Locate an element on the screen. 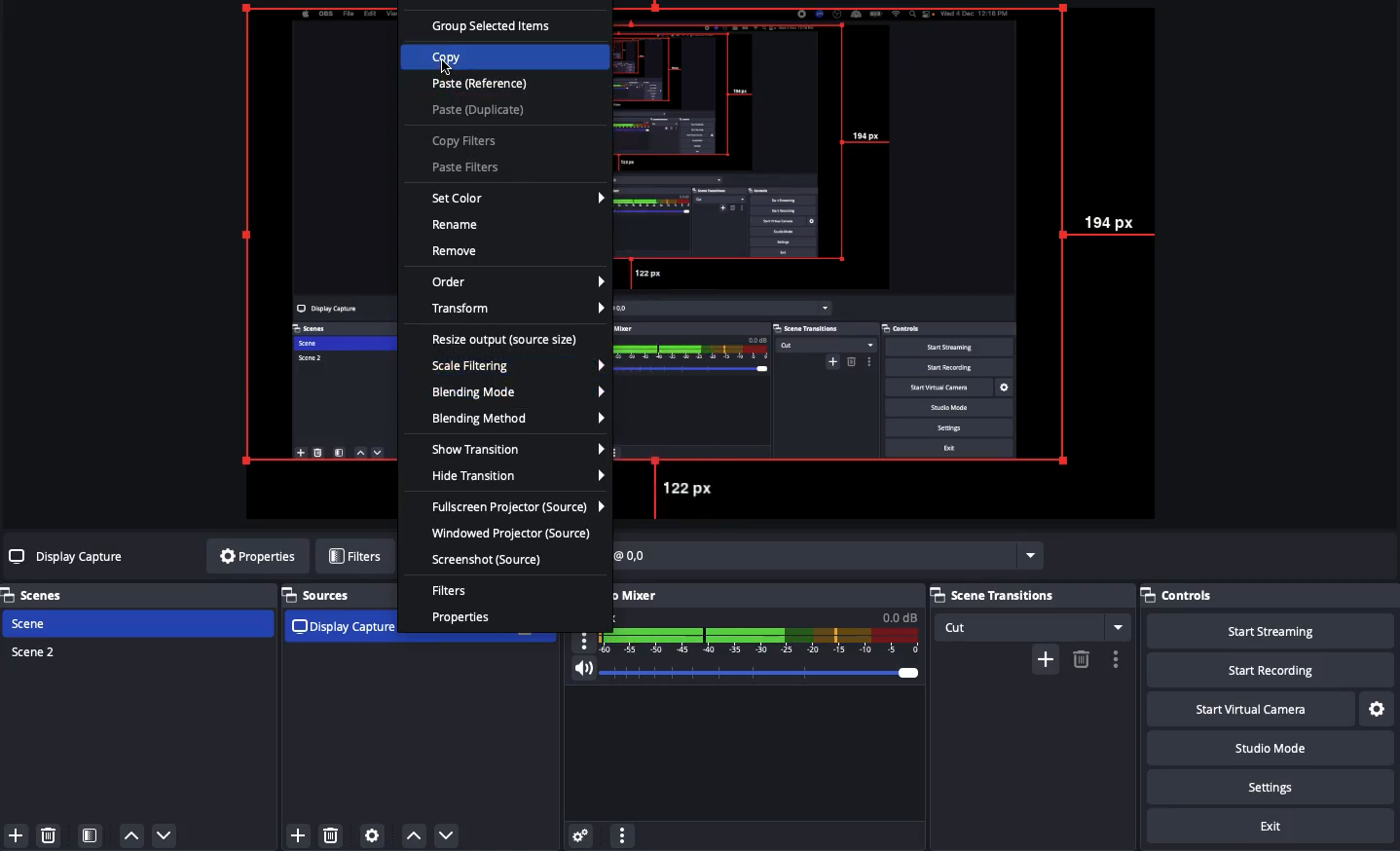 The image size is (1400, 851). Move up is located at coordinates (133, 836).